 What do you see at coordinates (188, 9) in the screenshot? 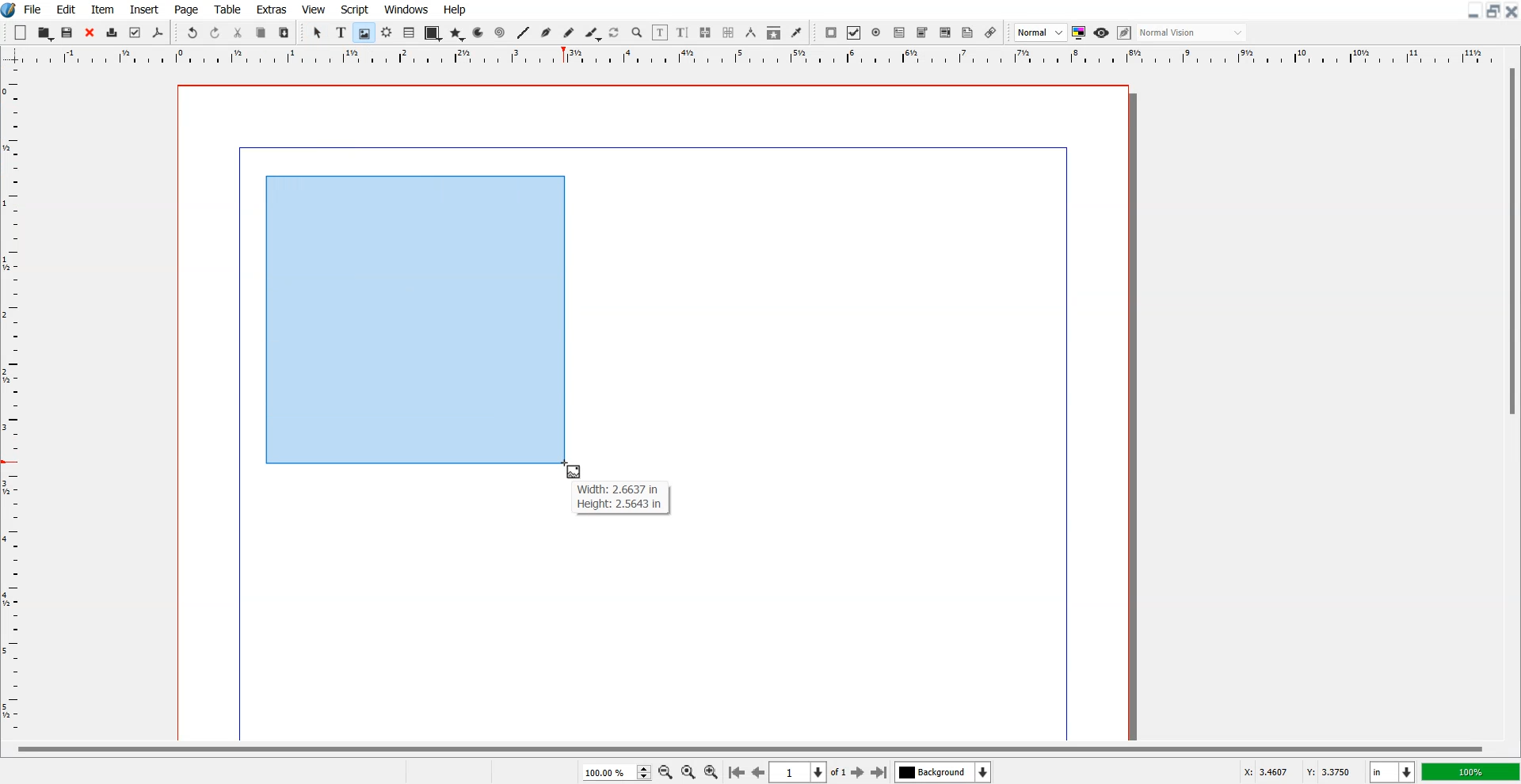
I see `Page` at bounding box center [188, 9].